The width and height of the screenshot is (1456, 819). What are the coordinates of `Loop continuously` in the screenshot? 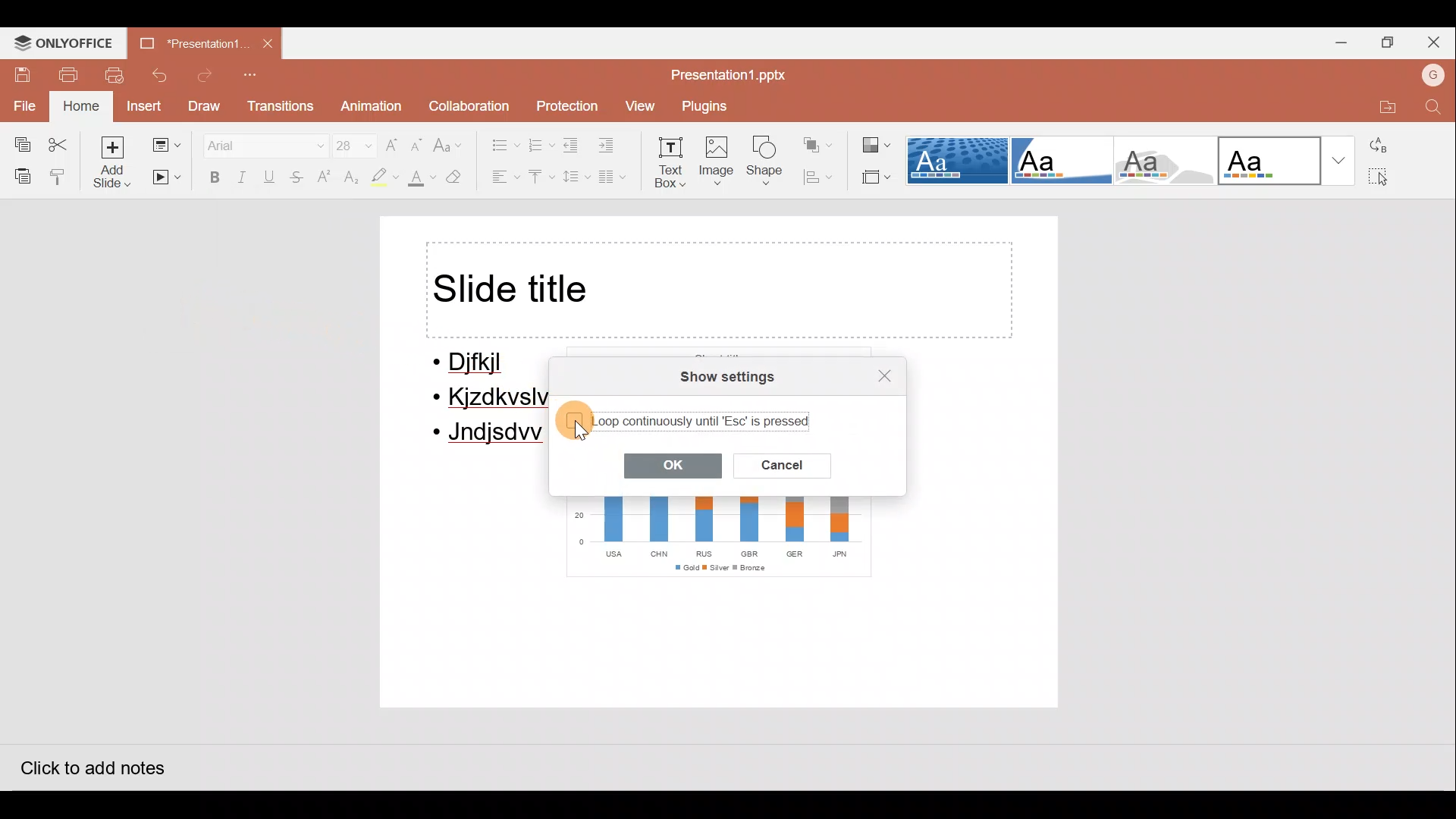 It's located at (701, 419).